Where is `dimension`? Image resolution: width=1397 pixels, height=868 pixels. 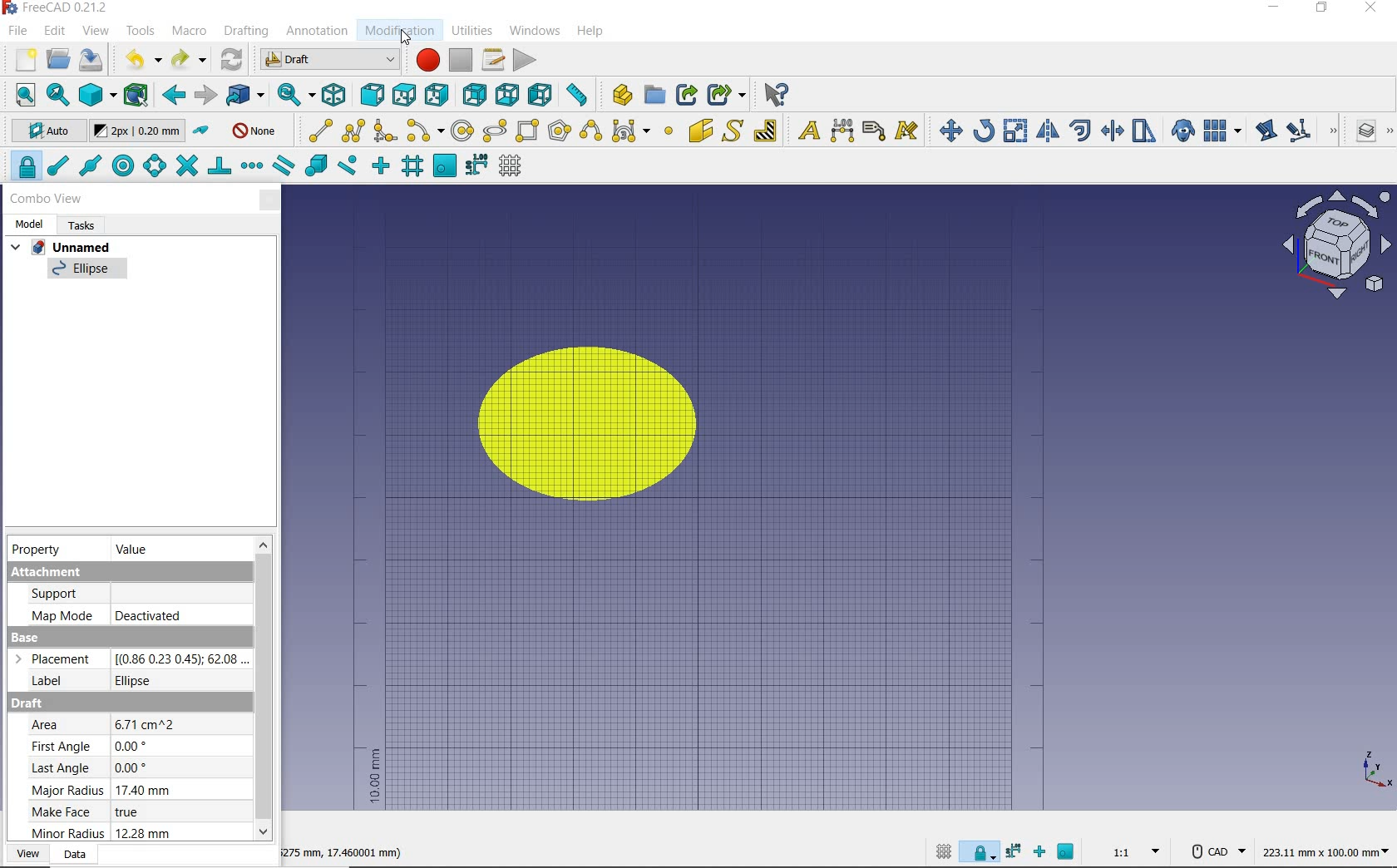
dimension is located at coordinates (350, 851).